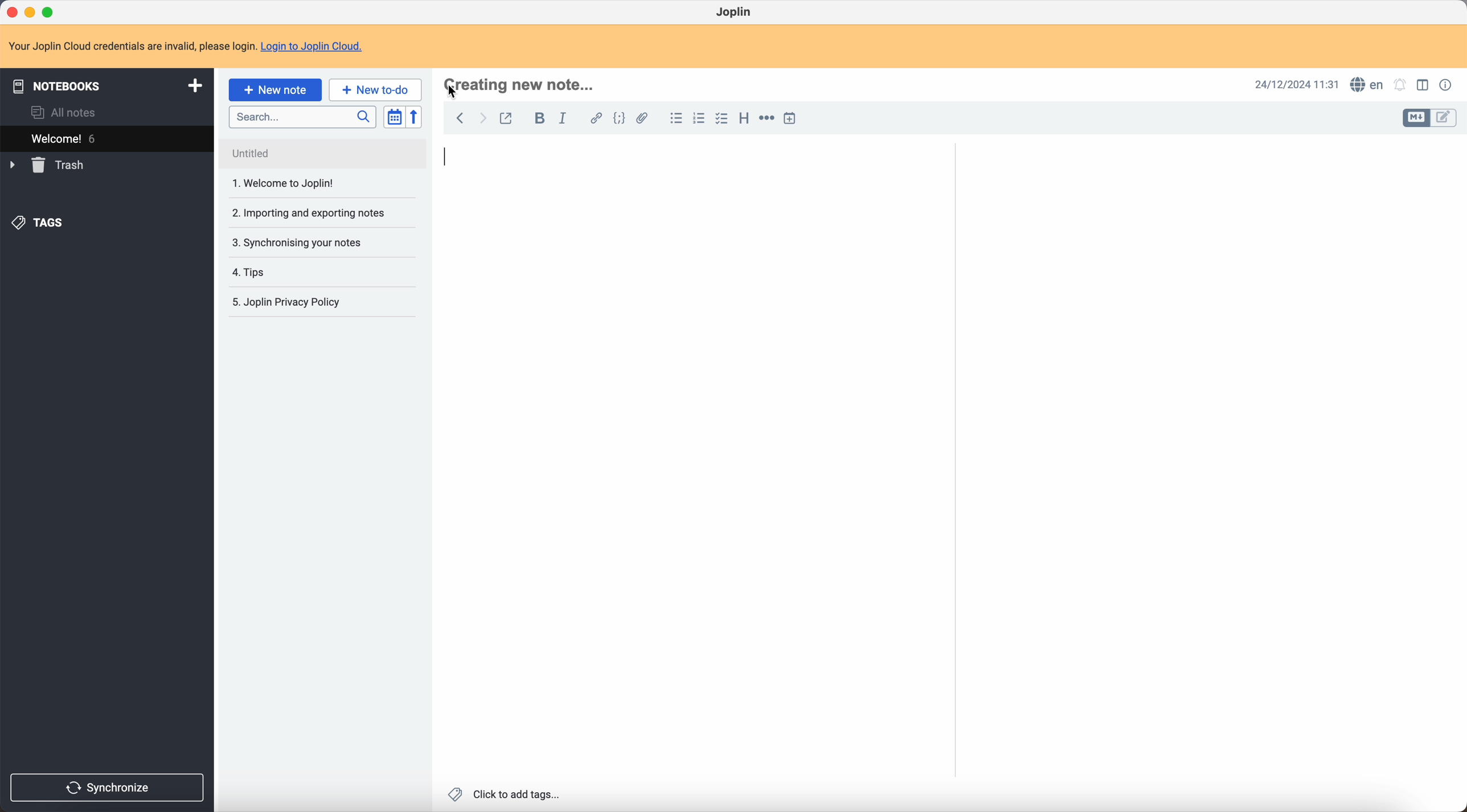 The image size is (1467, 812). I want to click on new to-do, so click(375, 89).